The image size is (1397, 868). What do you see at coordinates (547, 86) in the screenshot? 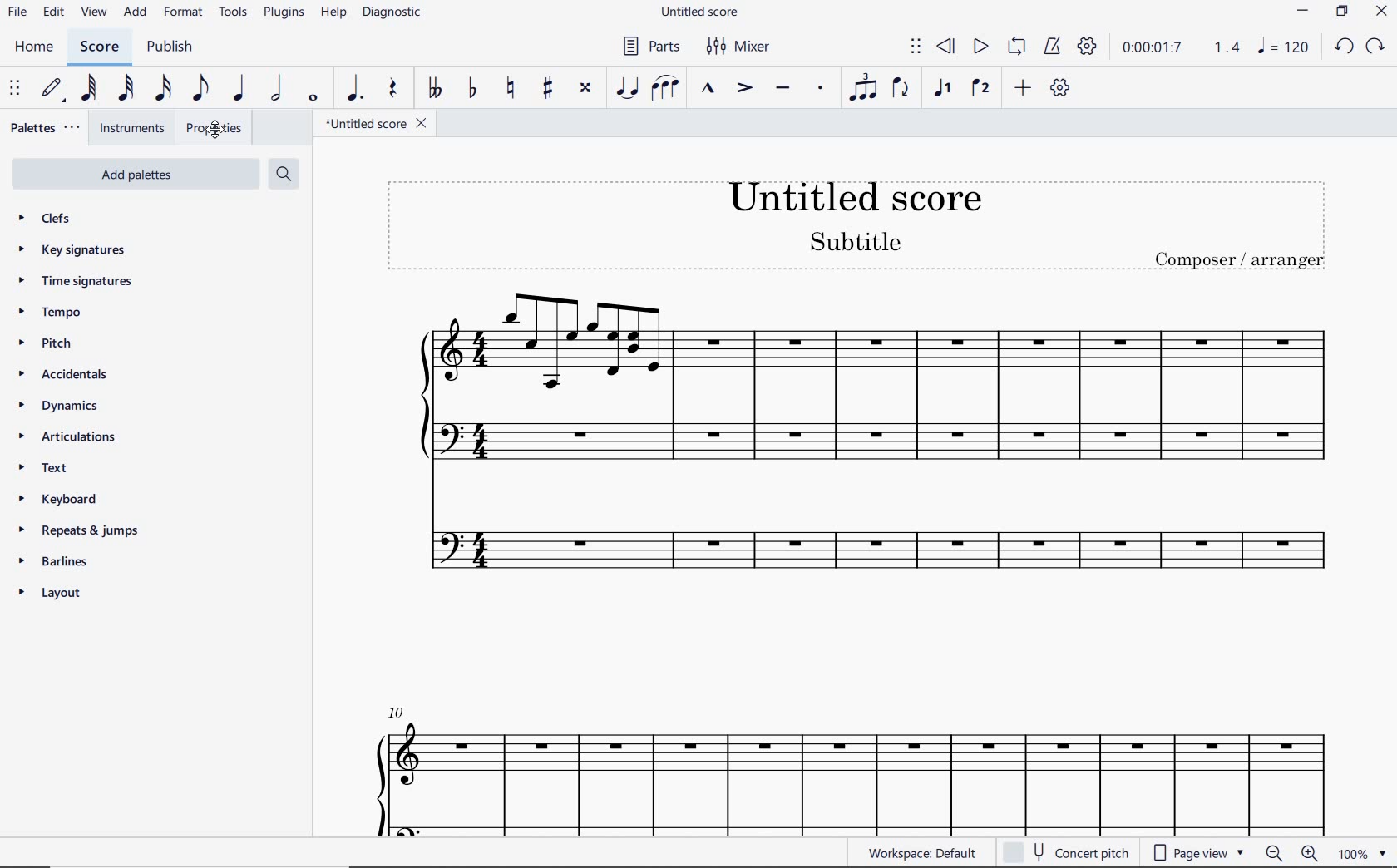
I see `TOGGLE SHARP` at bounding box center [547, 86].